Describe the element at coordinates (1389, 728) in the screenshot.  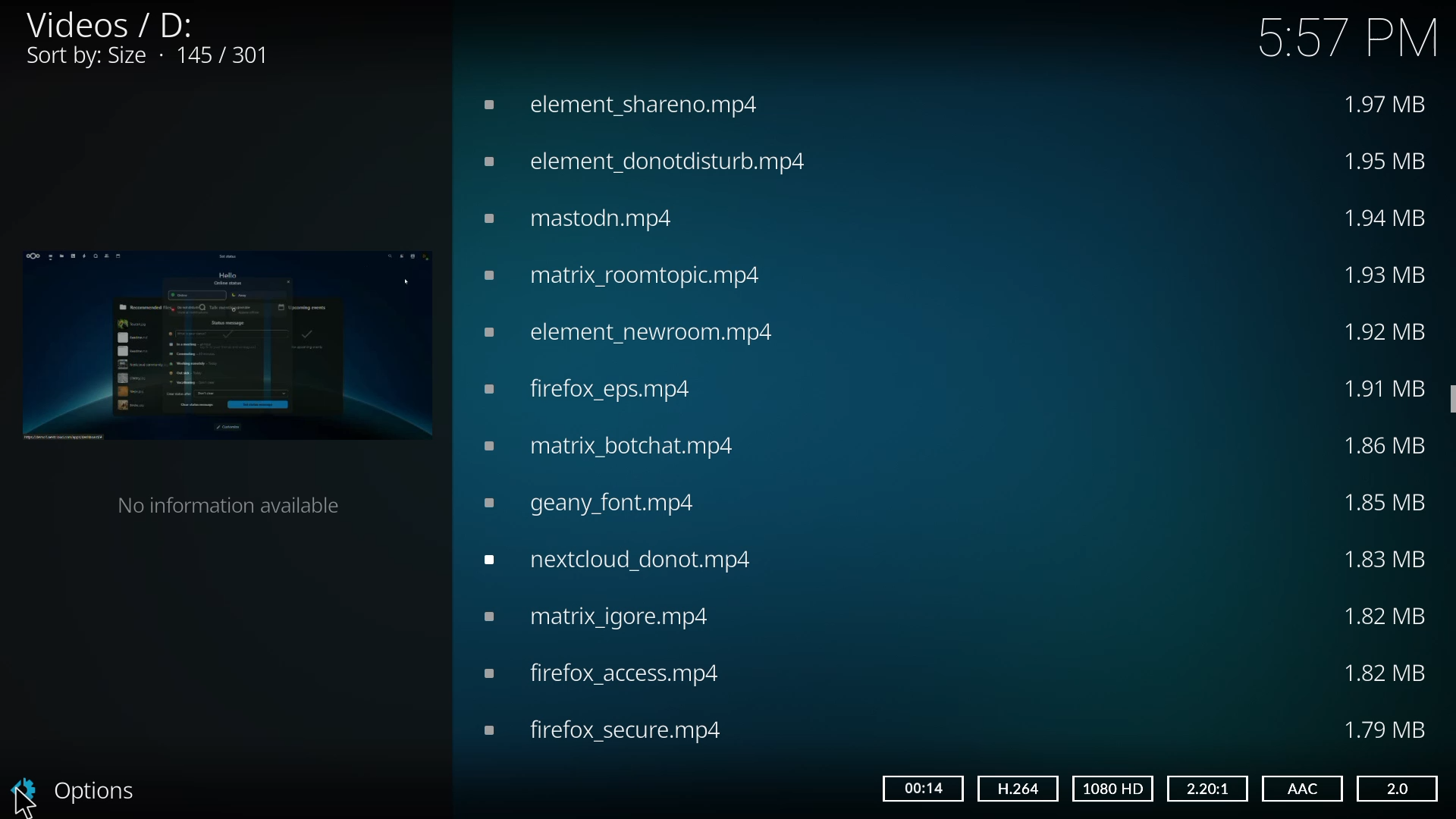
I see `size` at that location.